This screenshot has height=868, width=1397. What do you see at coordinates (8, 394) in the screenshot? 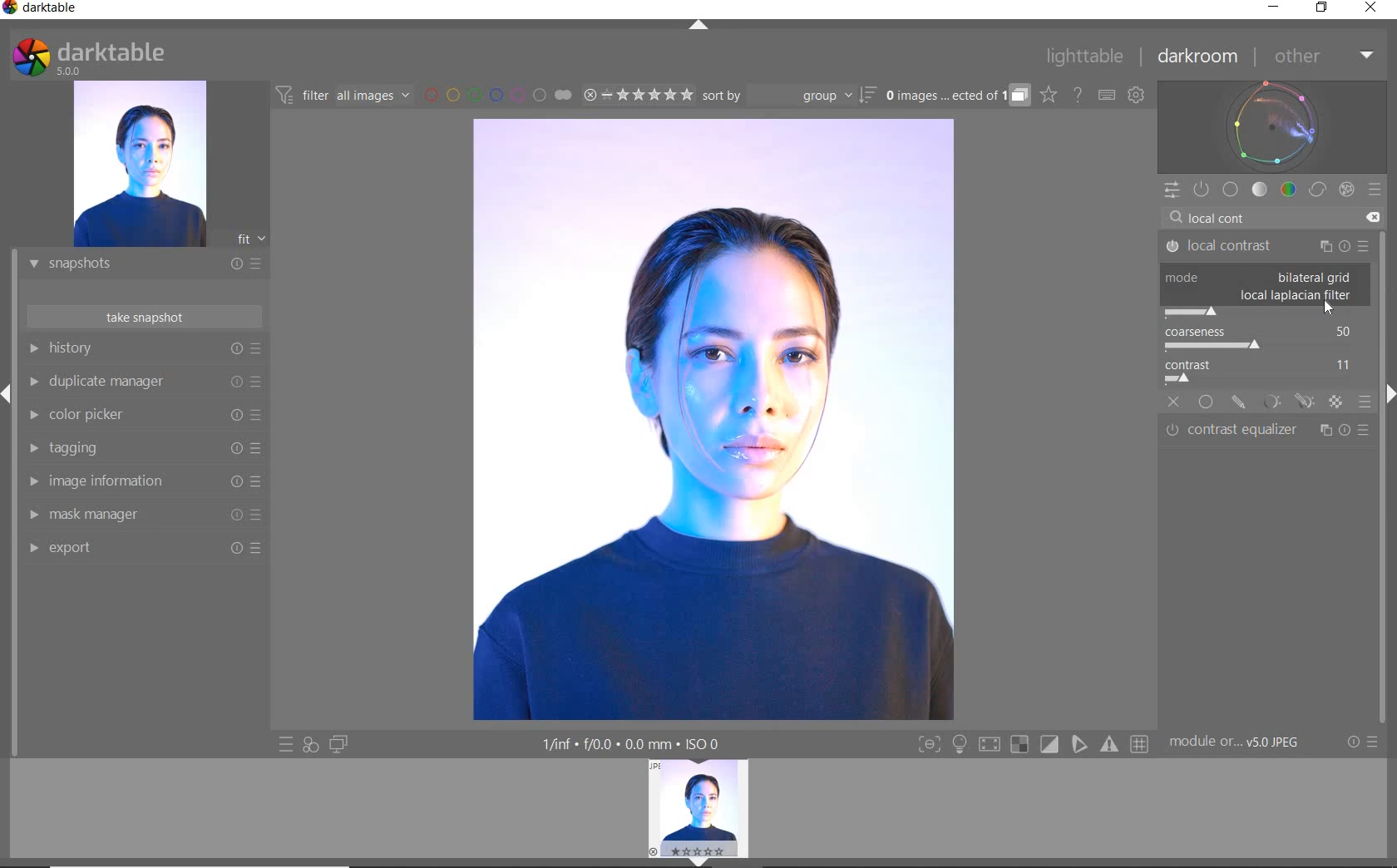
I see `Expand/Collapse` at bounding box center [8, 394].